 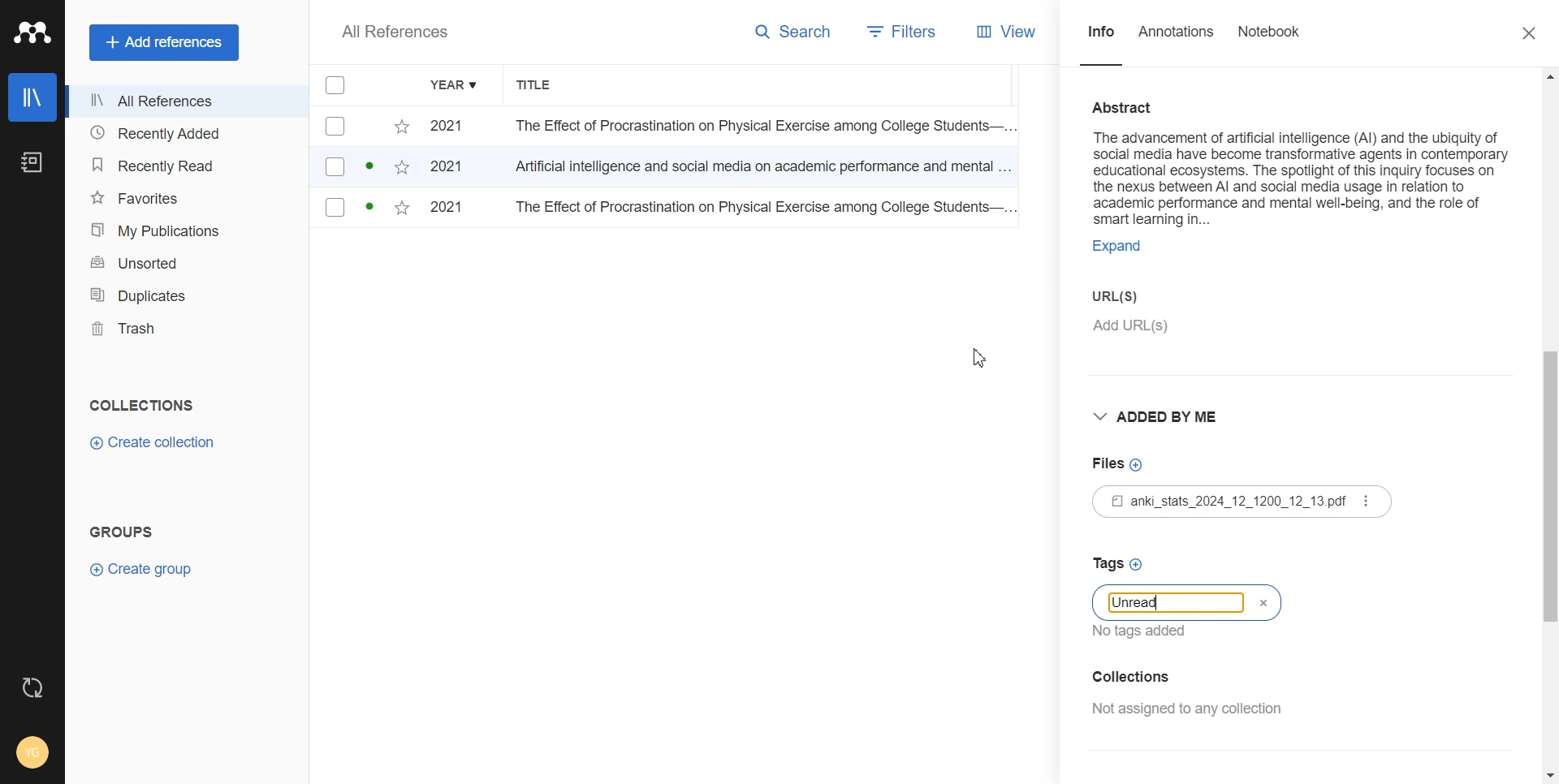 What do you see at coordinates (1177, 41) in the screenshot?
I see `Annotations` at bounding box center [1177, 41].